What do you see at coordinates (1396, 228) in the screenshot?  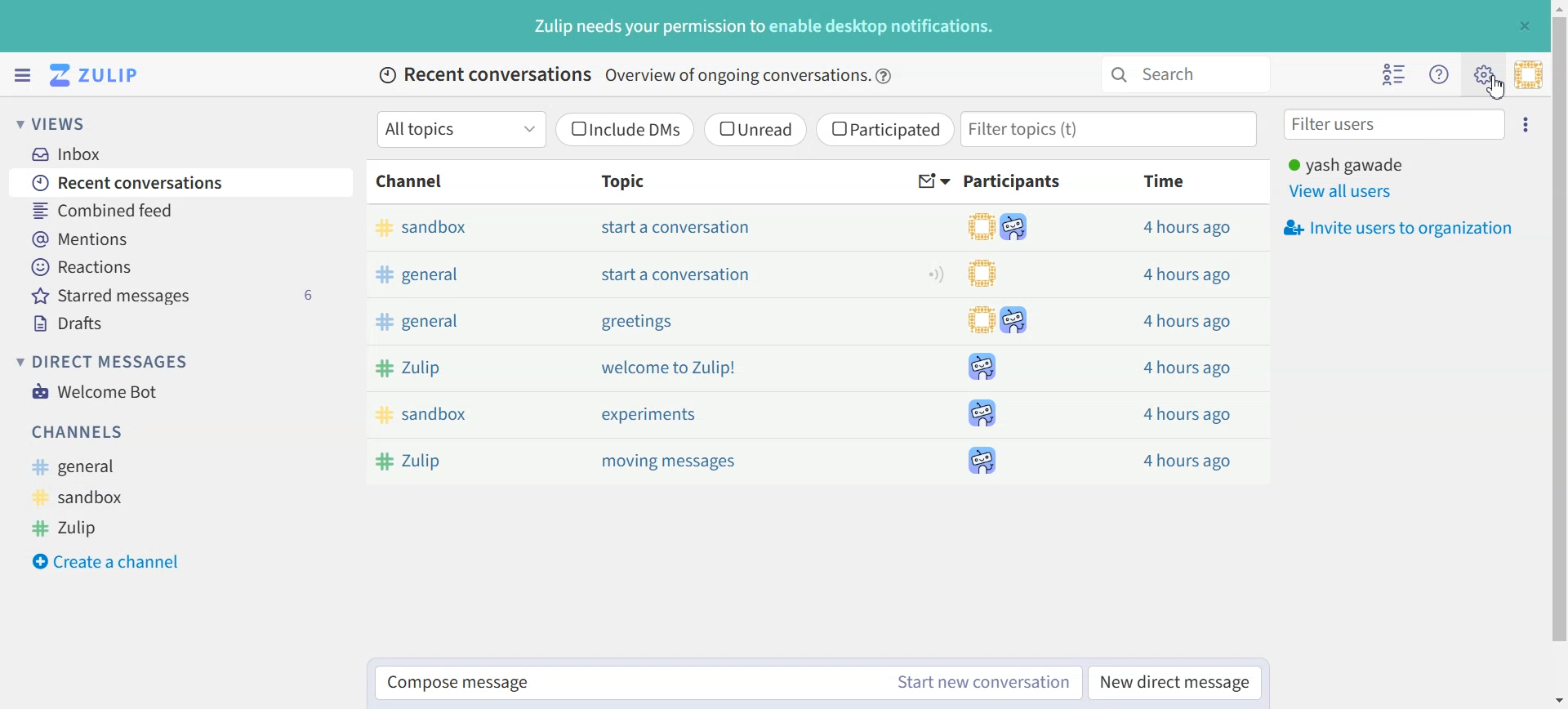 I see `Invite users to organization` at bounding box center [1396, 228].